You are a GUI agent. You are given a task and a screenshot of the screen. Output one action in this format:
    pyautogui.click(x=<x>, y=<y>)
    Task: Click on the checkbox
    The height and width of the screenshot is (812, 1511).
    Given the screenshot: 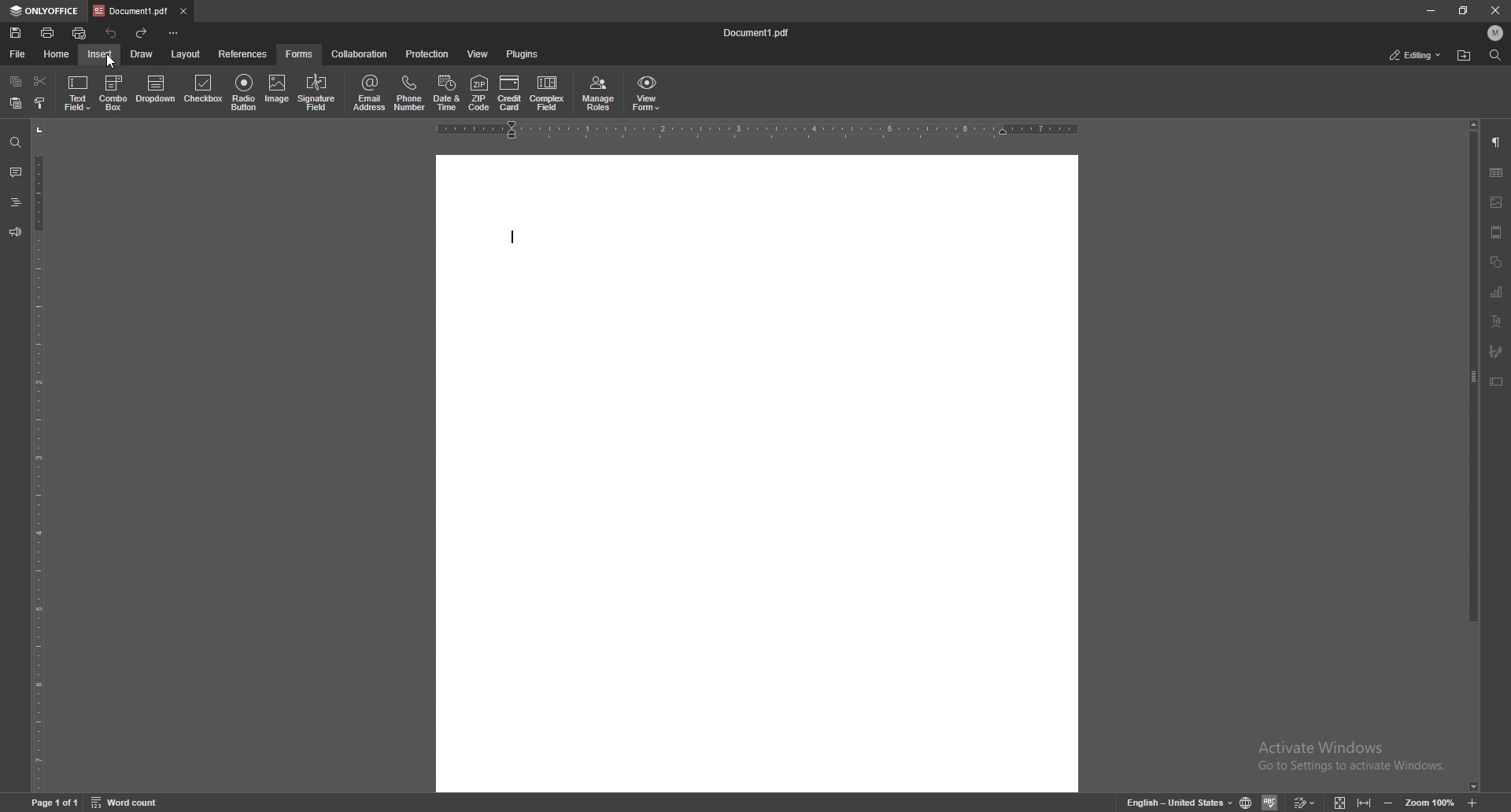 What is the action you would take?
    pyautogui.click(x=203, y=90)
    